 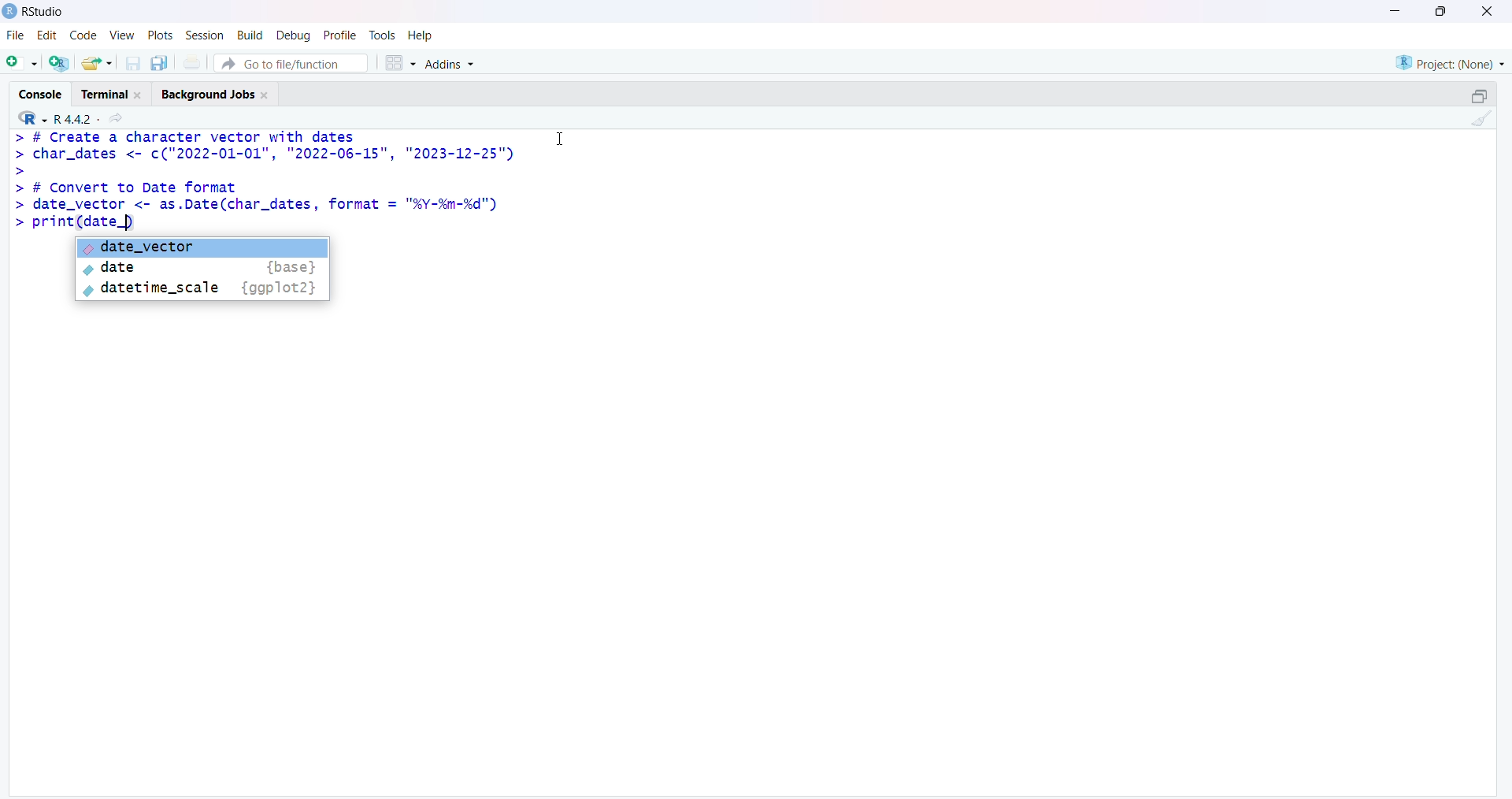 I want to click on Edit, so click(x=46, y=39).